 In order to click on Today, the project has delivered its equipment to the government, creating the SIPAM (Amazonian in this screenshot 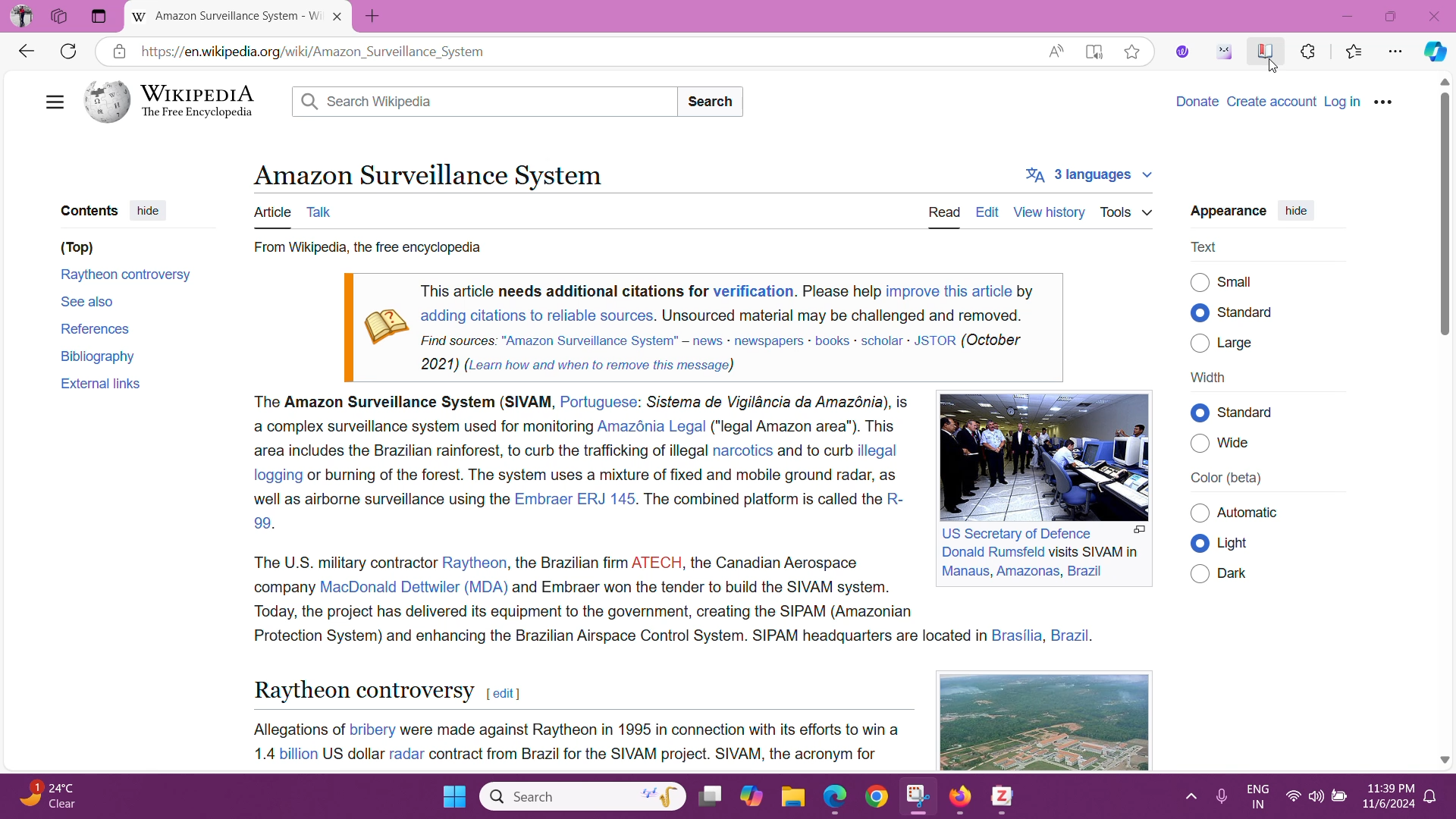, I will do `click(583, 611)`.